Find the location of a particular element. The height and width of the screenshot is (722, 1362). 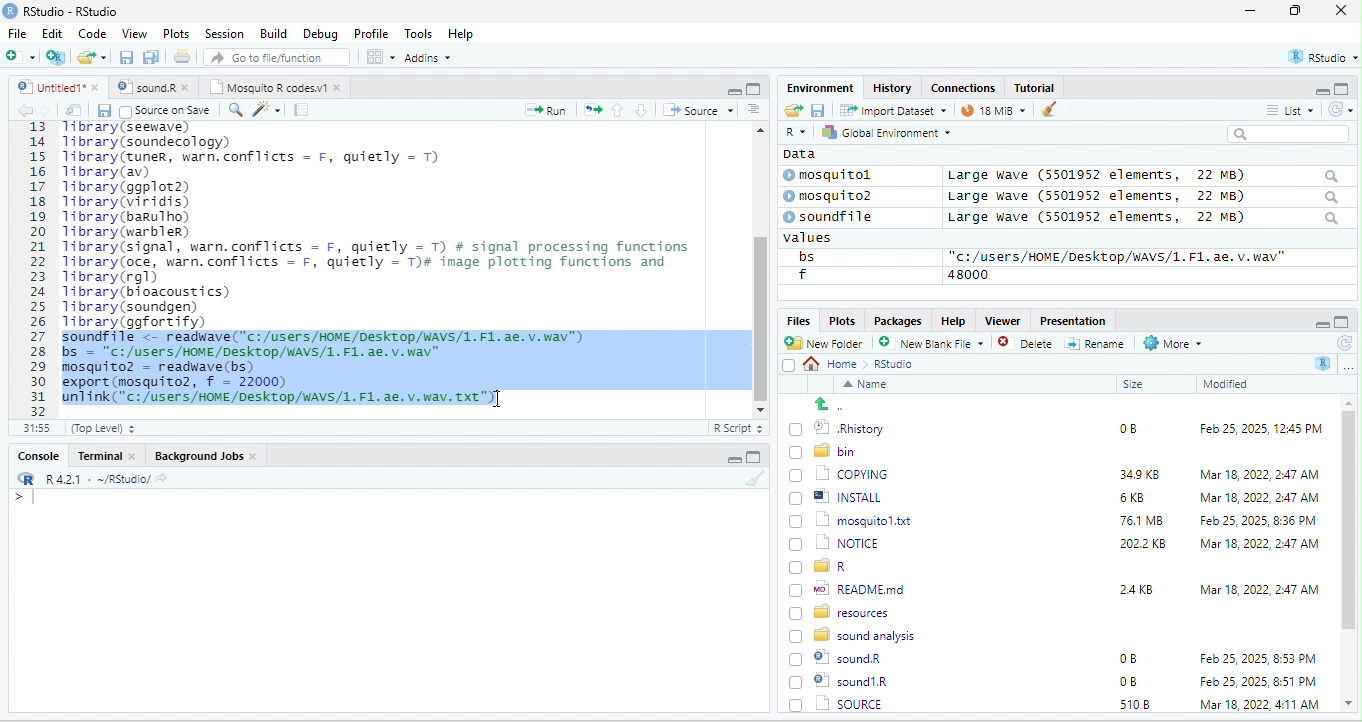

open is located at coordinates (74, 110).